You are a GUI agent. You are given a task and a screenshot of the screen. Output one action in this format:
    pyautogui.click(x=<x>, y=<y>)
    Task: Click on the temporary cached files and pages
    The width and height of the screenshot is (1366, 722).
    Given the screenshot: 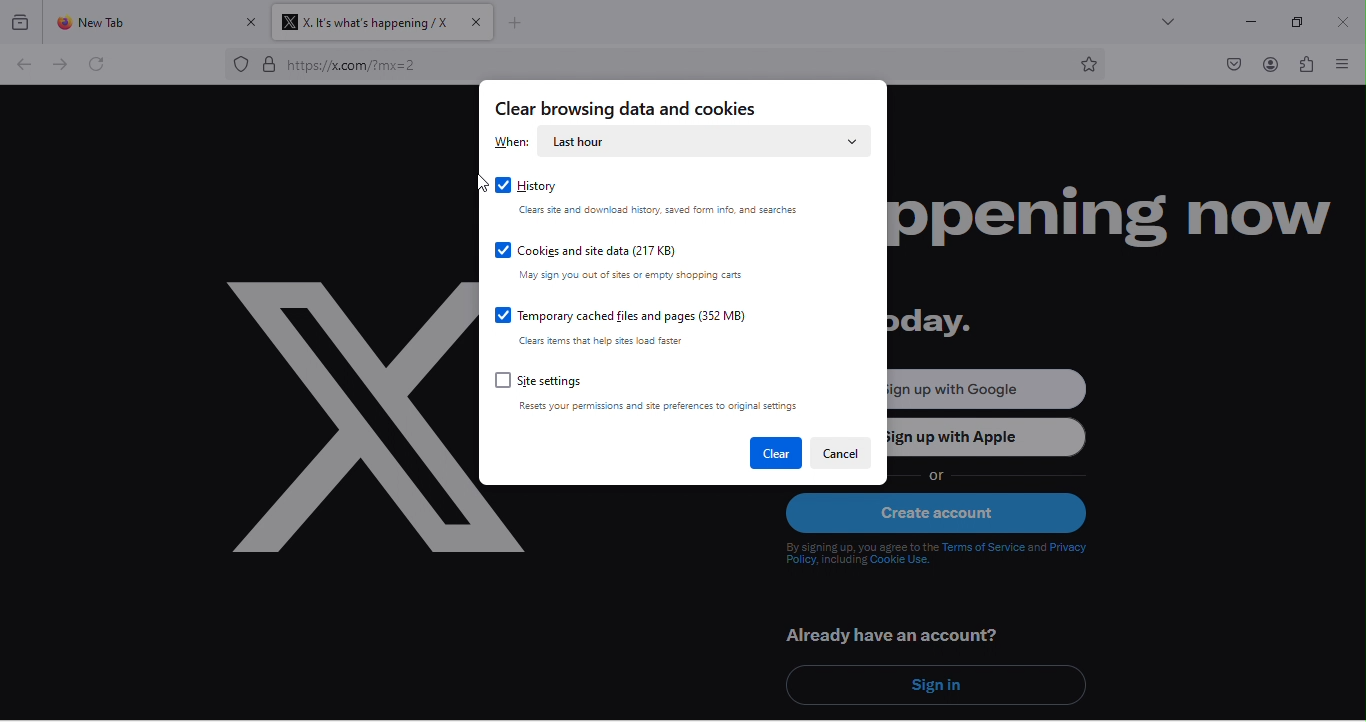 What is the action you would take?
    pyautogui.click(x=630, y=331)
    